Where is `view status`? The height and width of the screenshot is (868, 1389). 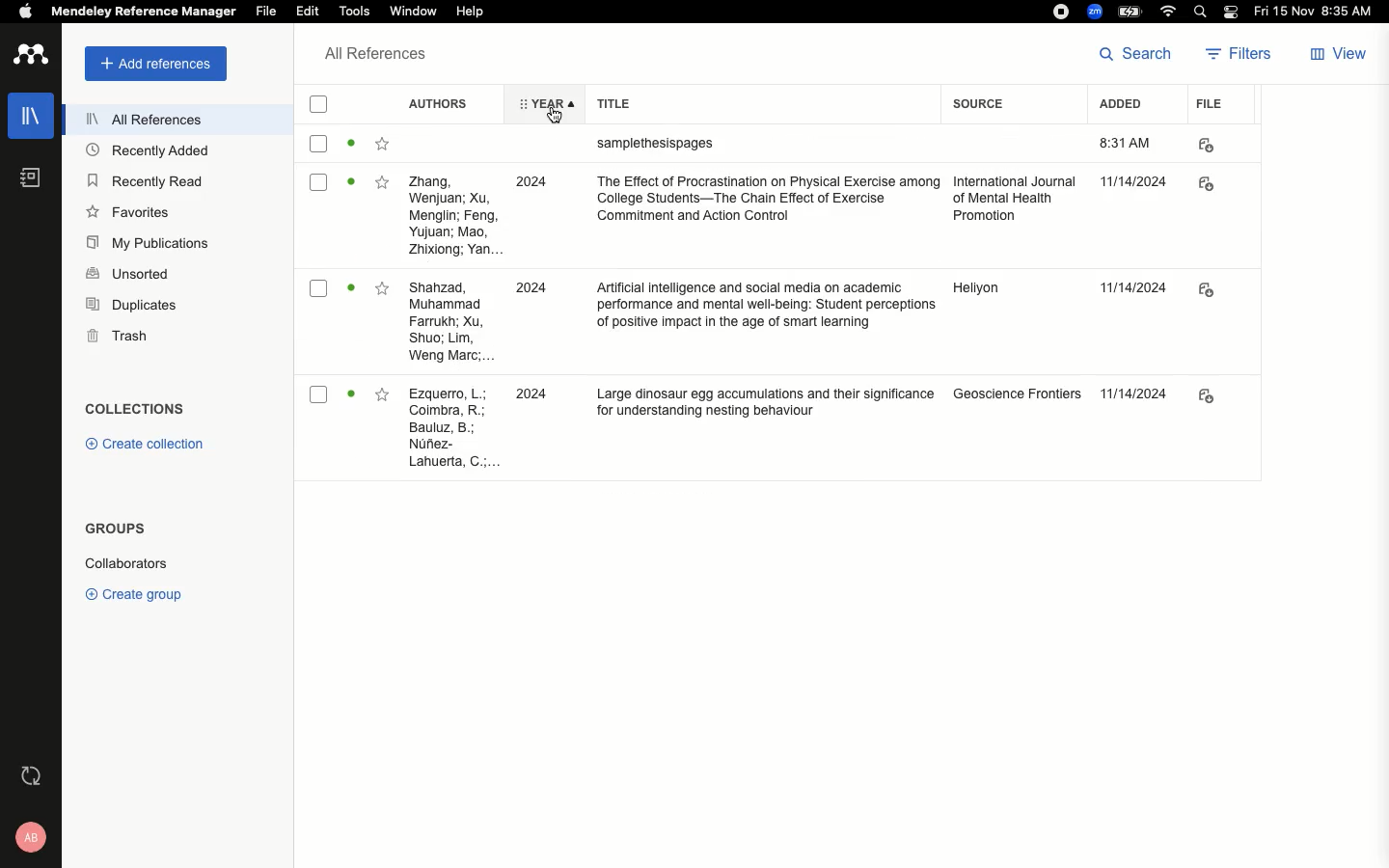 view status is located at coordinates (351, 396).